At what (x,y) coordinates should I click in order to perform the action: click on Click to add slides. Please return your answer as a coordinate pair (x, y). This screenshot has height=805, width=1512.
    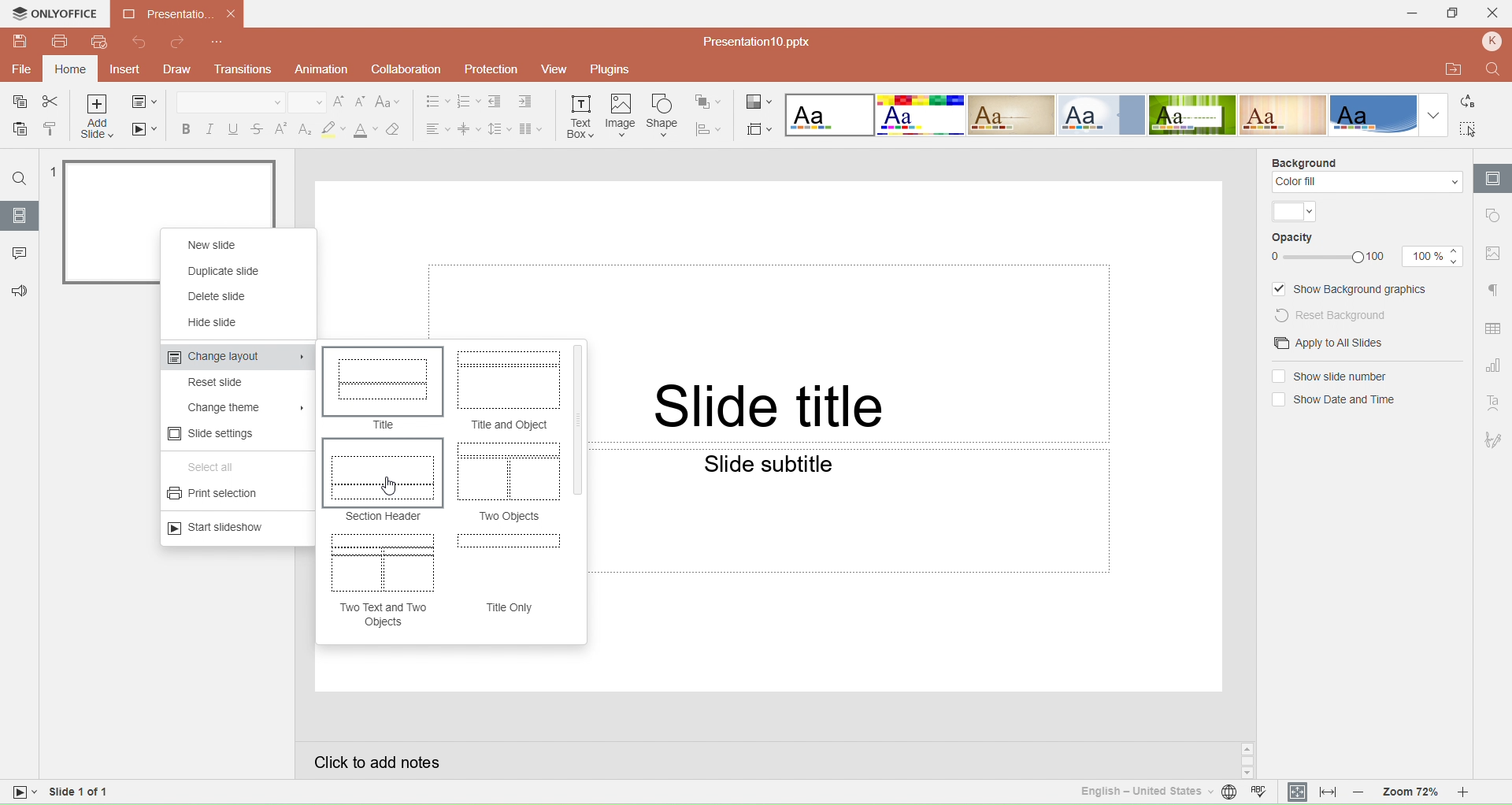
    Looking at the image, I should click on (763, 759).